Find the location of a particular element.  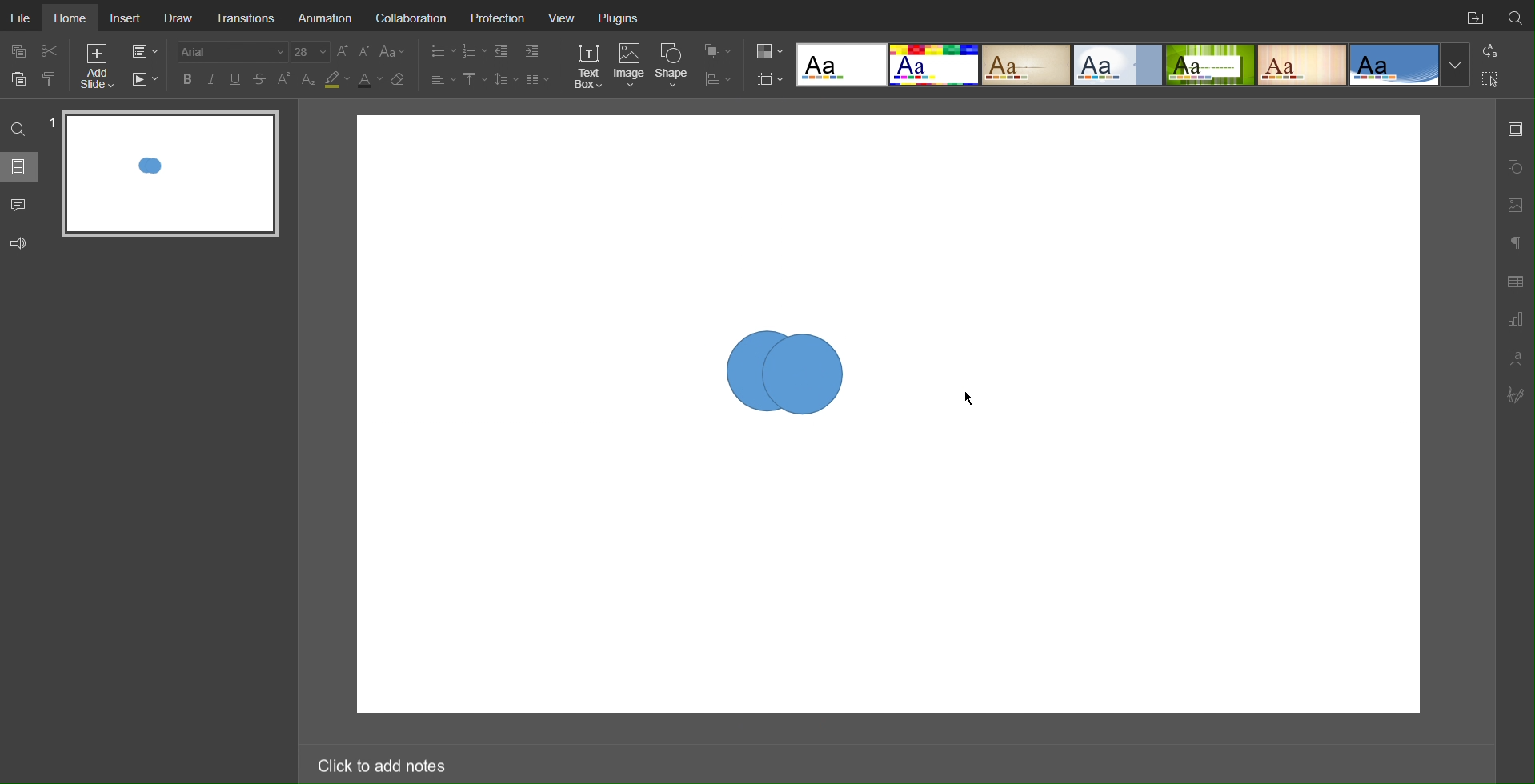

Slide Settings is located at coordinates (767, 79).